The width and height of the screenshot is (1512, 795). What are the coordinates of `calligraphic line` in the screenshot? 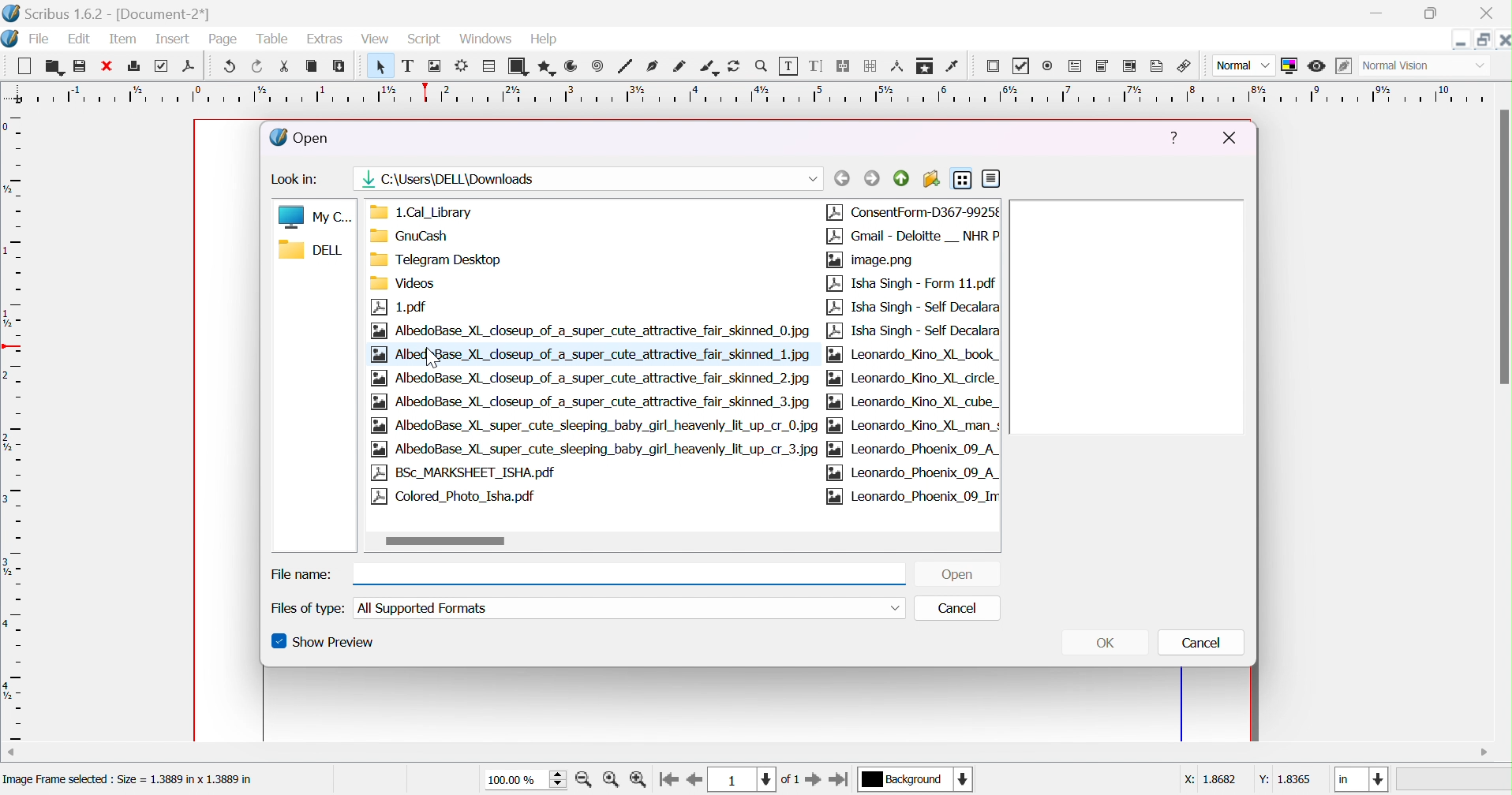 It's located at (708, 65).